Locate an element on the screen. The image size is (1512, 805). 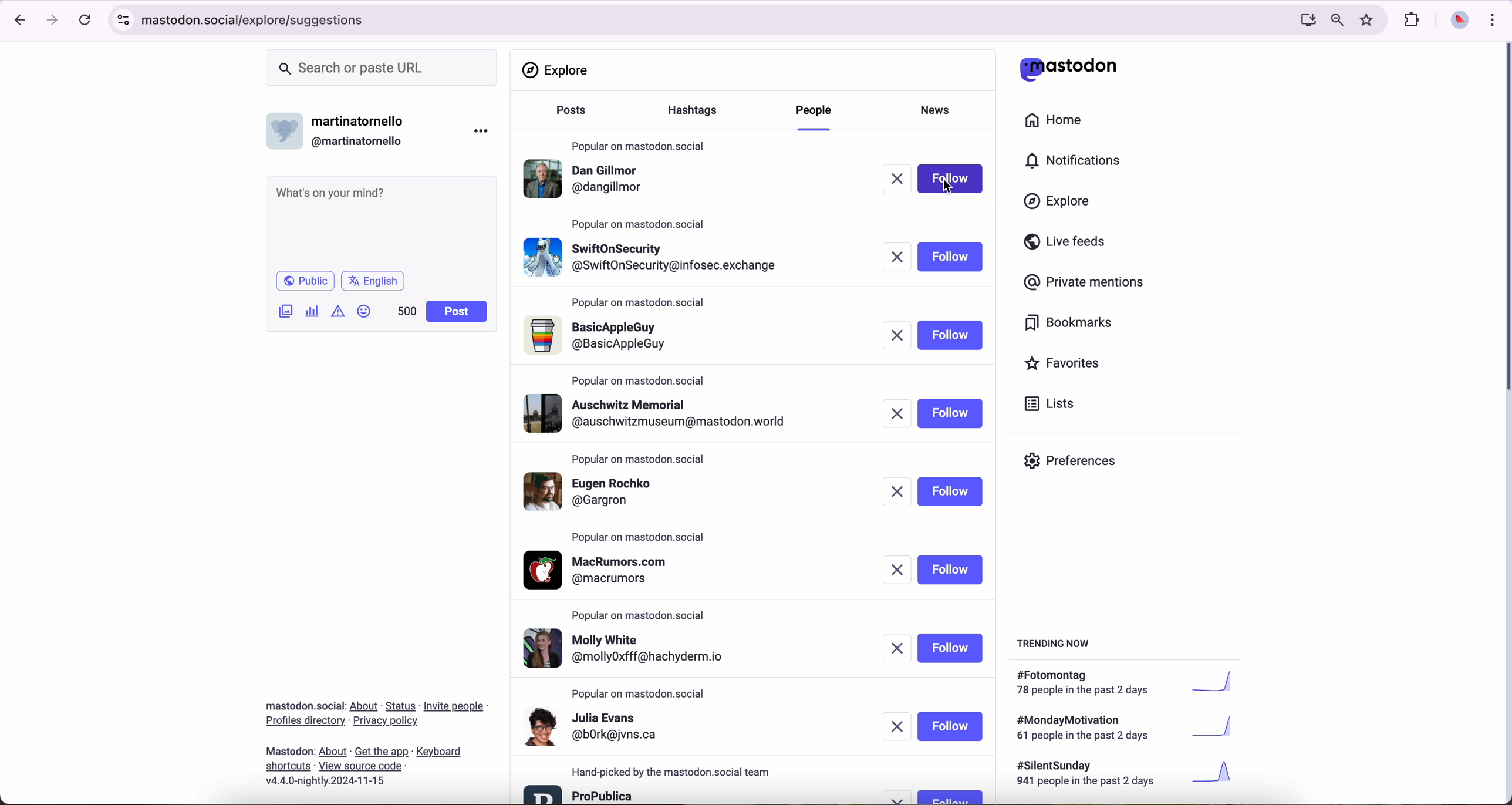
about is located at coordinates (376, 739).